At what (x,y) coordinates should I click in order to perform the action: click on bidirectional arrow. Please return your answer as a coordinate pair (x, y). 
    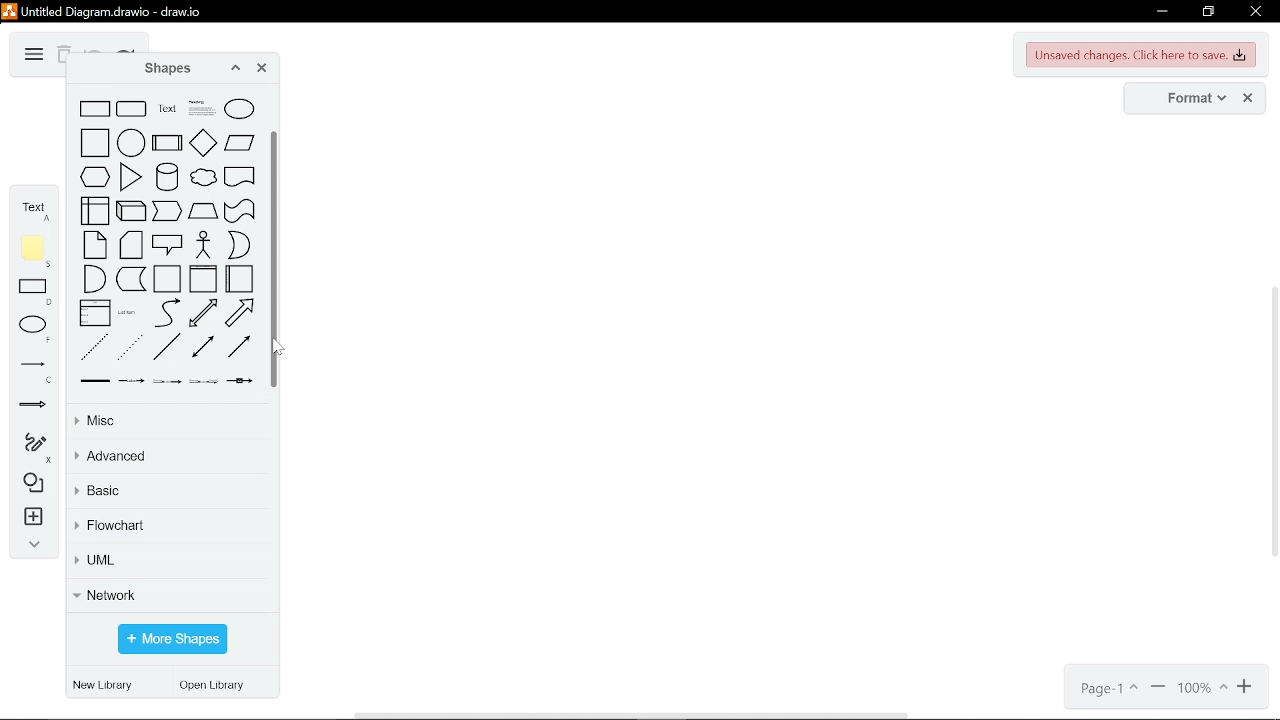
    Looking at the image, I should click on (203, 312).